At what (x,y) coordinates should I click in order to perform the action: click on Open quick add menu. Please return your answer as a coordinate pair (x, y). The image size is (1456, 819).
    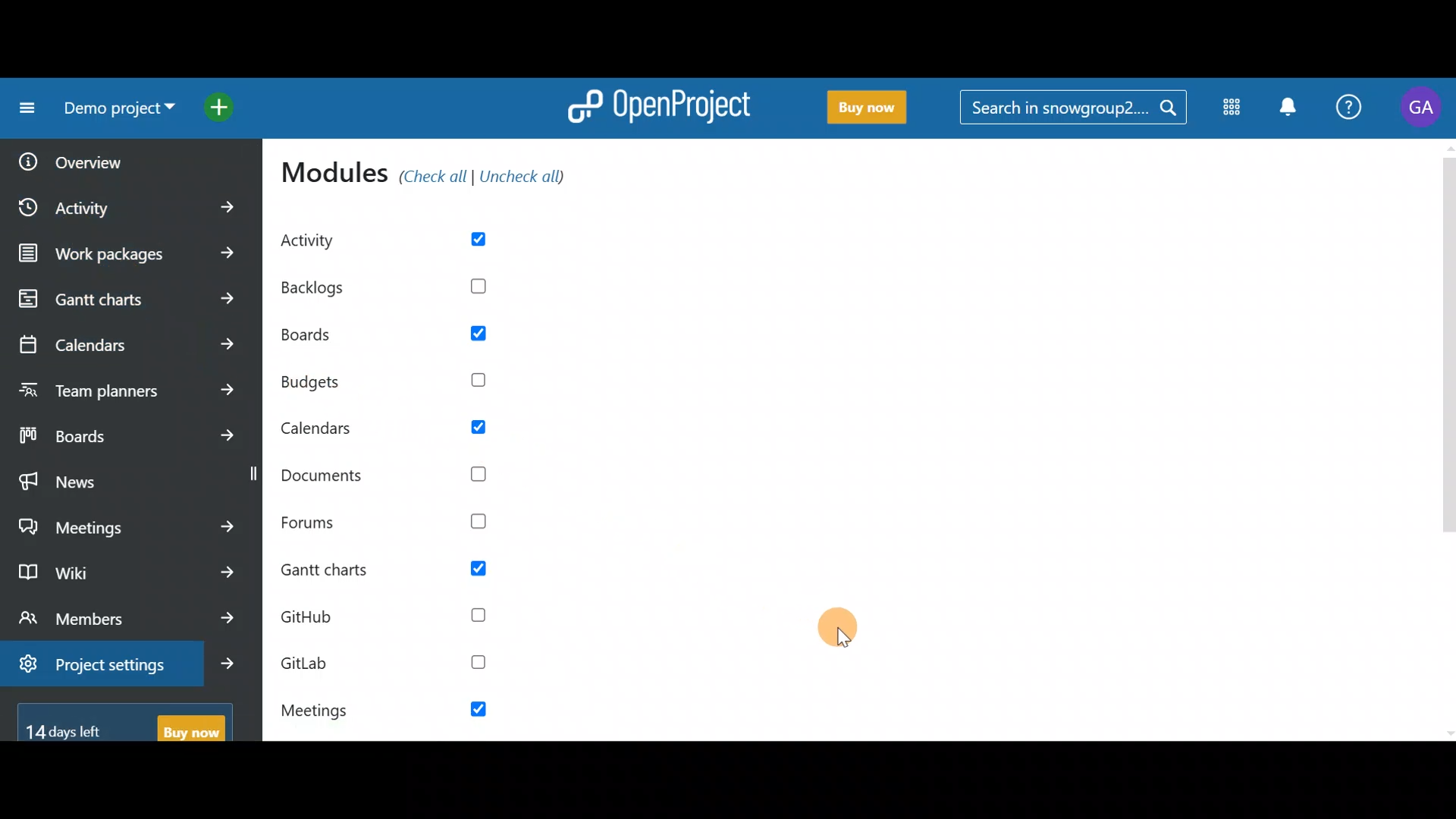
    Looking at the image, I should click on (223, 106).